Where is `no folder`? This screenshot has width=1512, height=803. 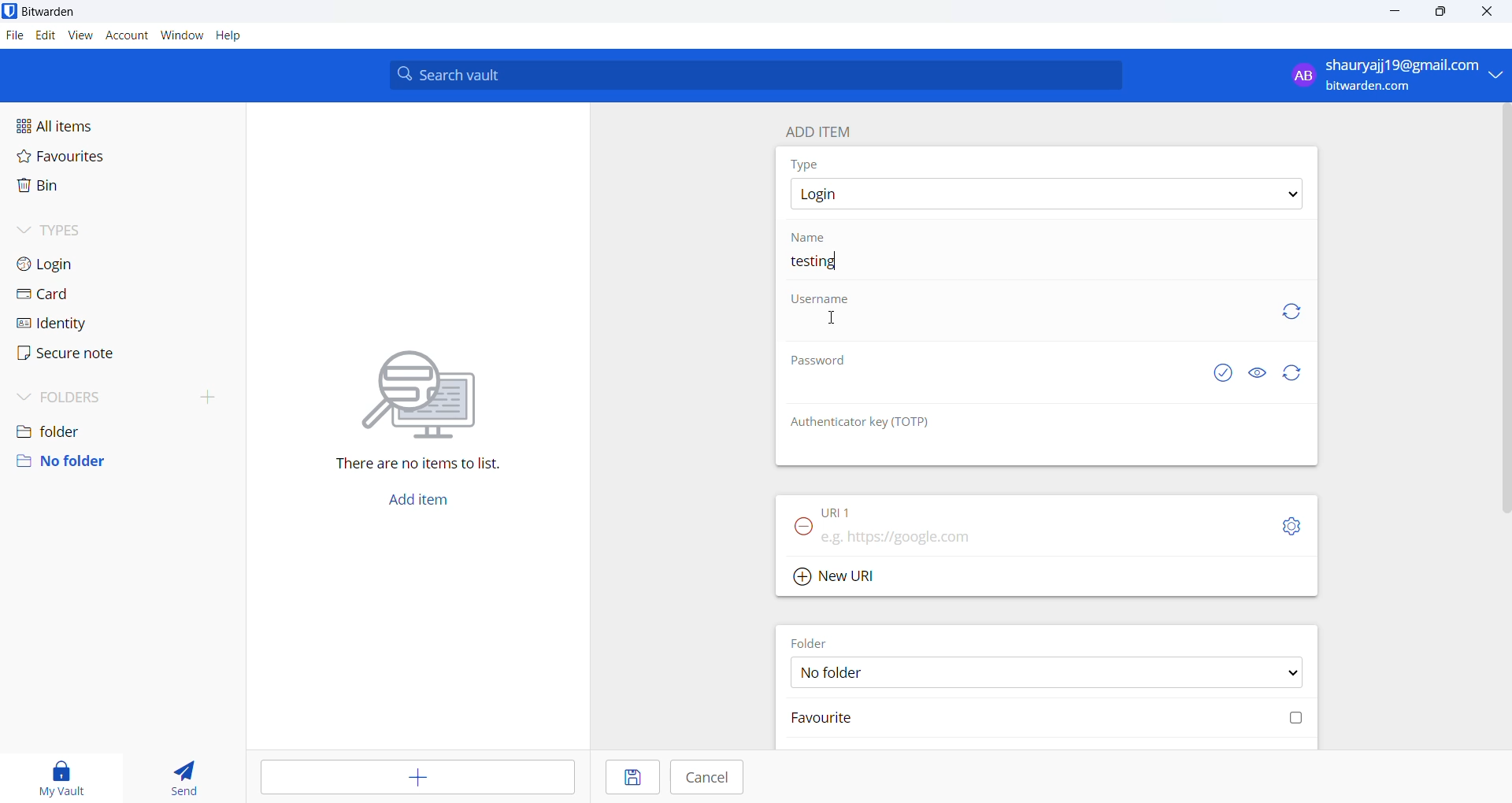
no folder is located at coordinates (117, 461).